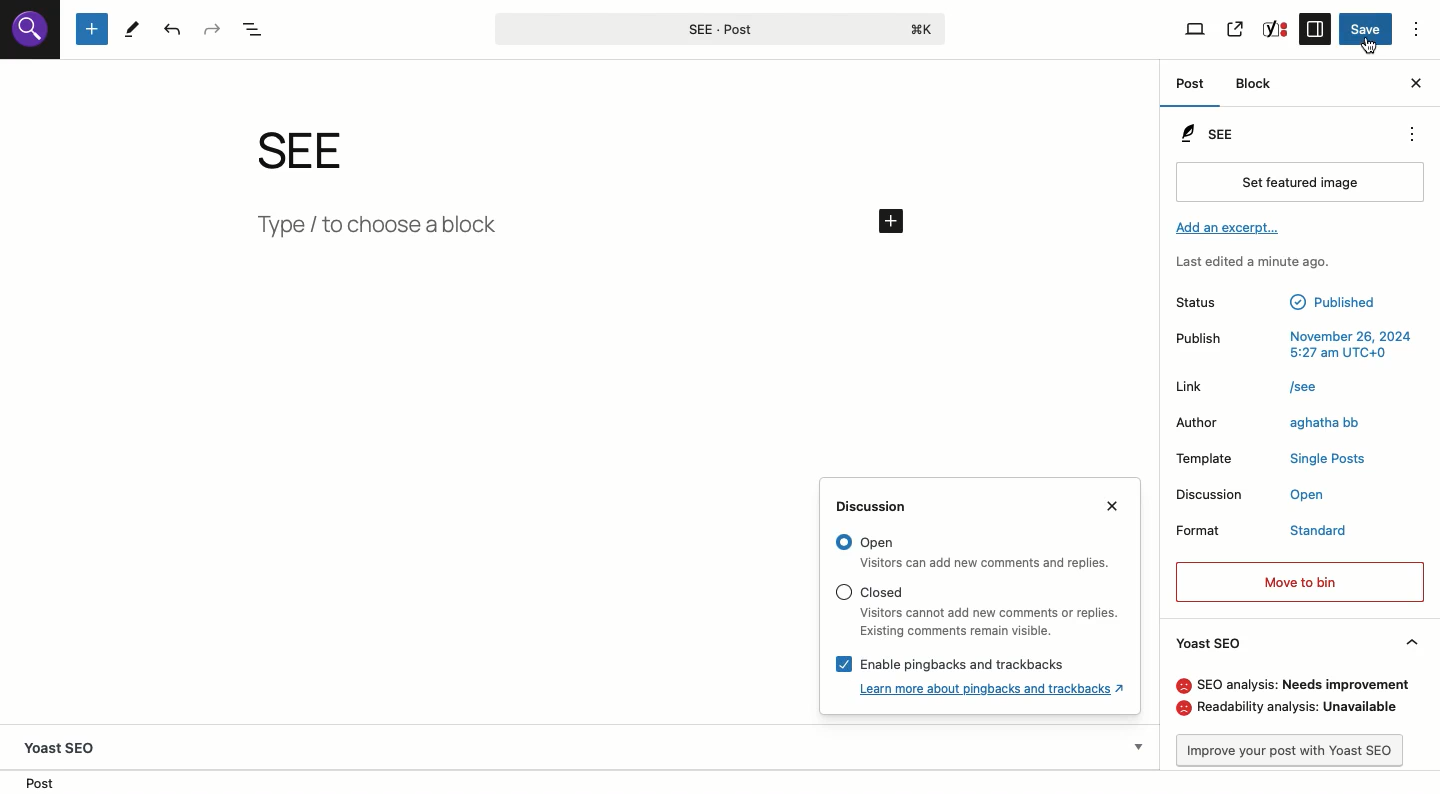 This screenshot has width=1440, height=794. I want to click on Undo, so click(174, 30).